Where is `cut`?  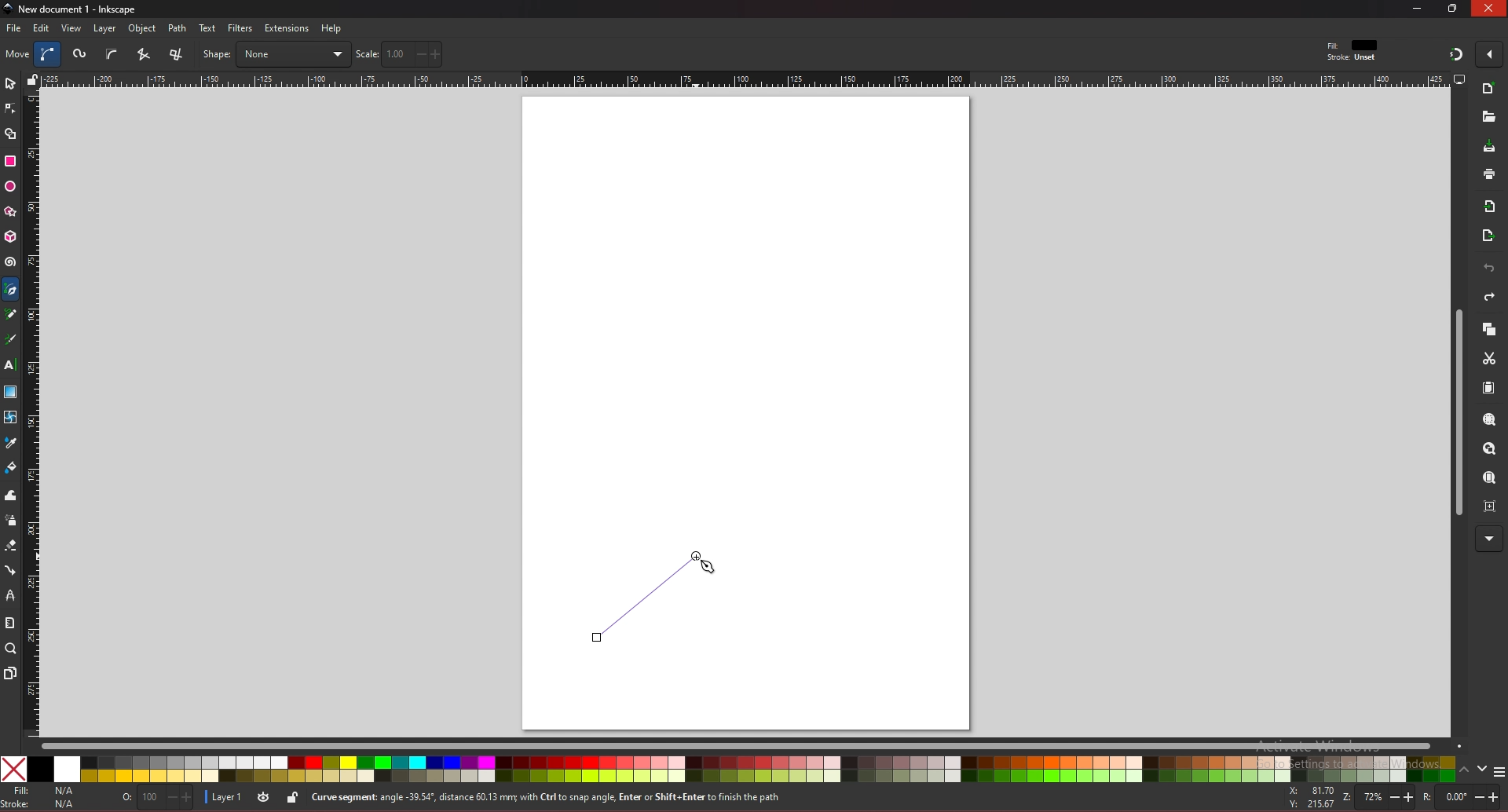 cut is located at coordinates (1489, 359).